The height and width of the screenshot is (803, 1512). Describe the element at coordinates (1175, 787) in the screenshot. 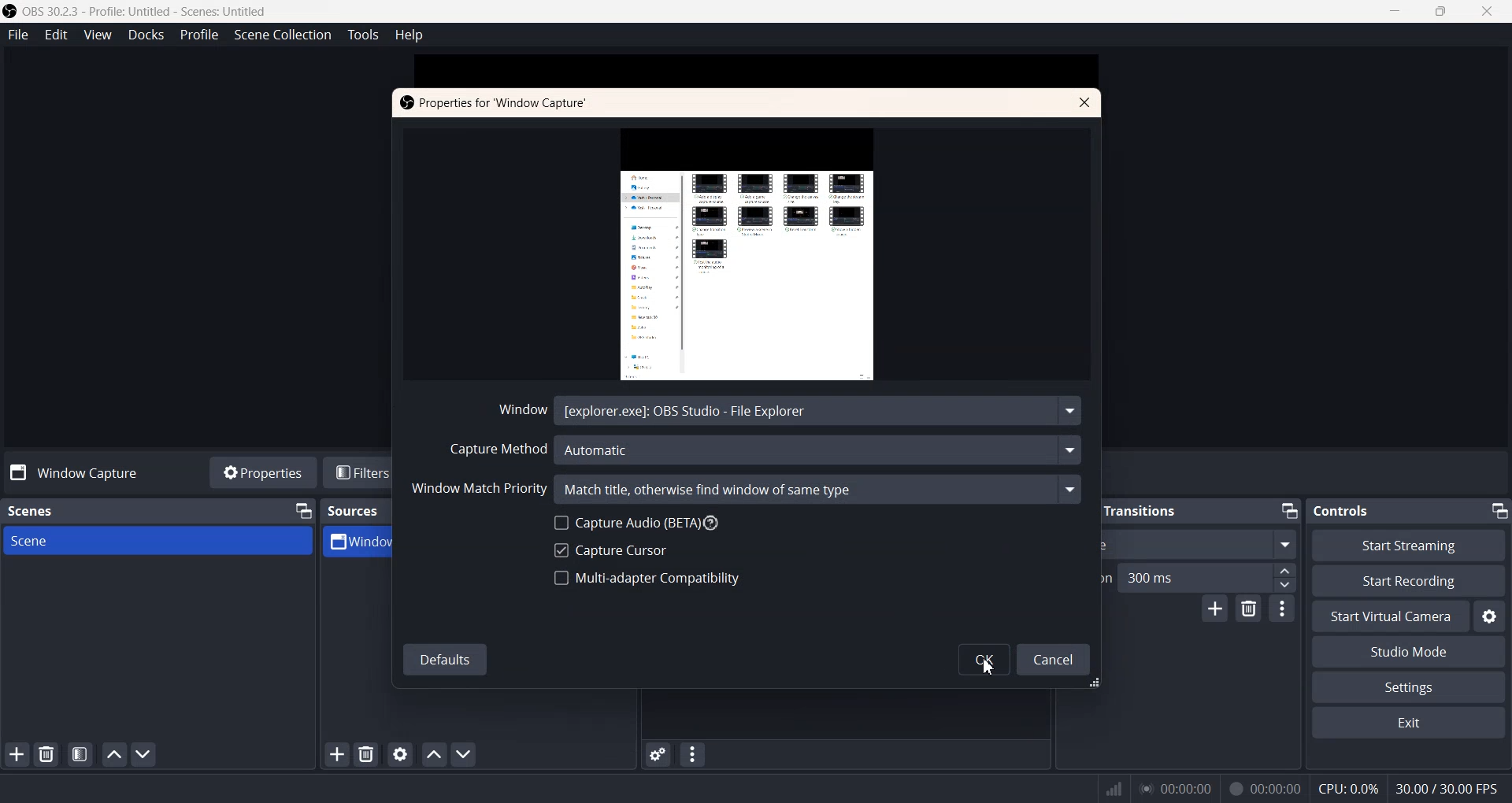

I see `00:00:00` at that location.